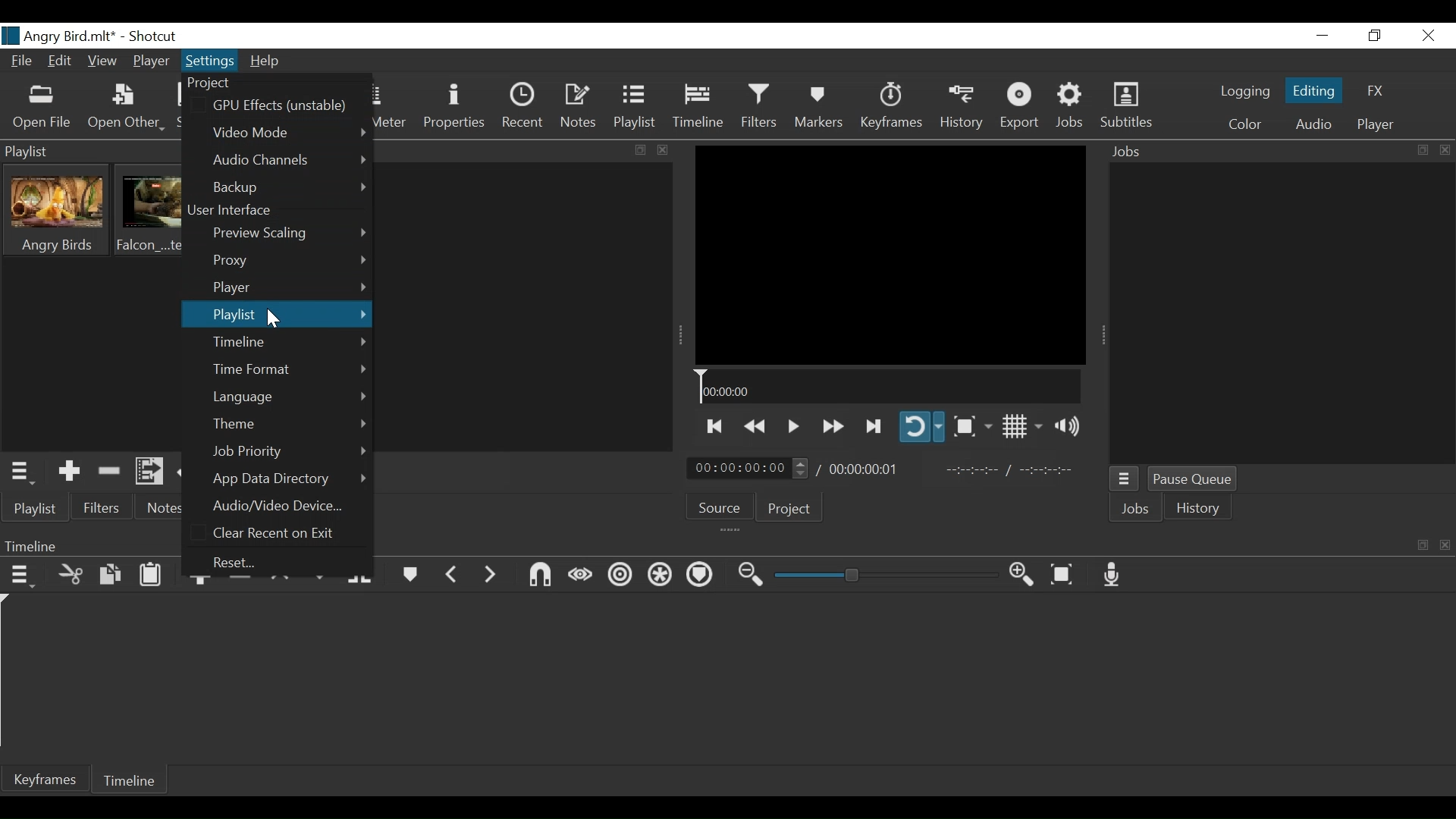 This screenshot has height=819, width=1456. What do you see at coordinates (45, 778) in the screenshot?
I see `Keyframes` at bounding box center [45, 778].